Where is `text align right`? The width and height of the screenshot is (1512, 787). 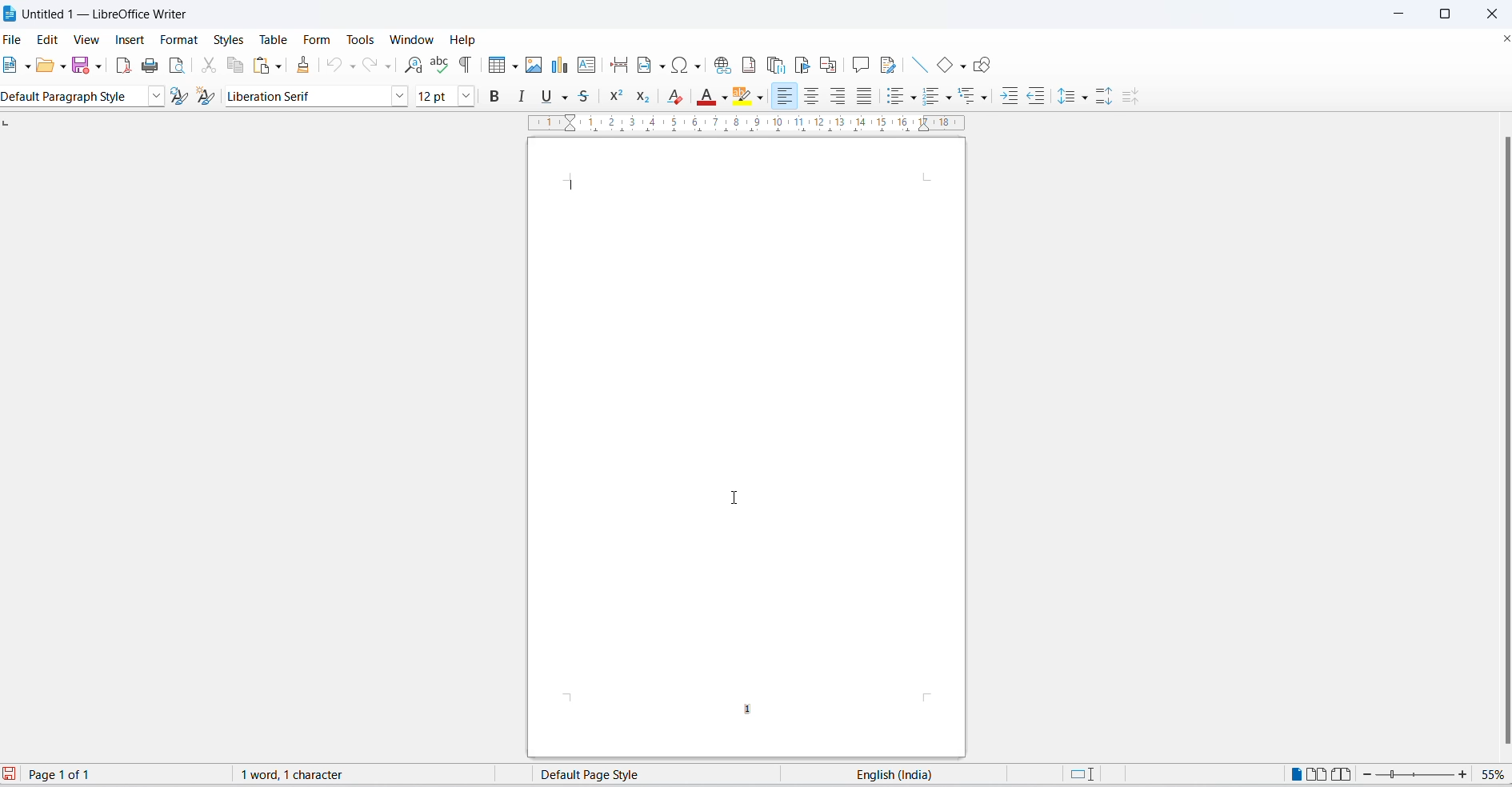 text align right is located at coordinates (838, 98).